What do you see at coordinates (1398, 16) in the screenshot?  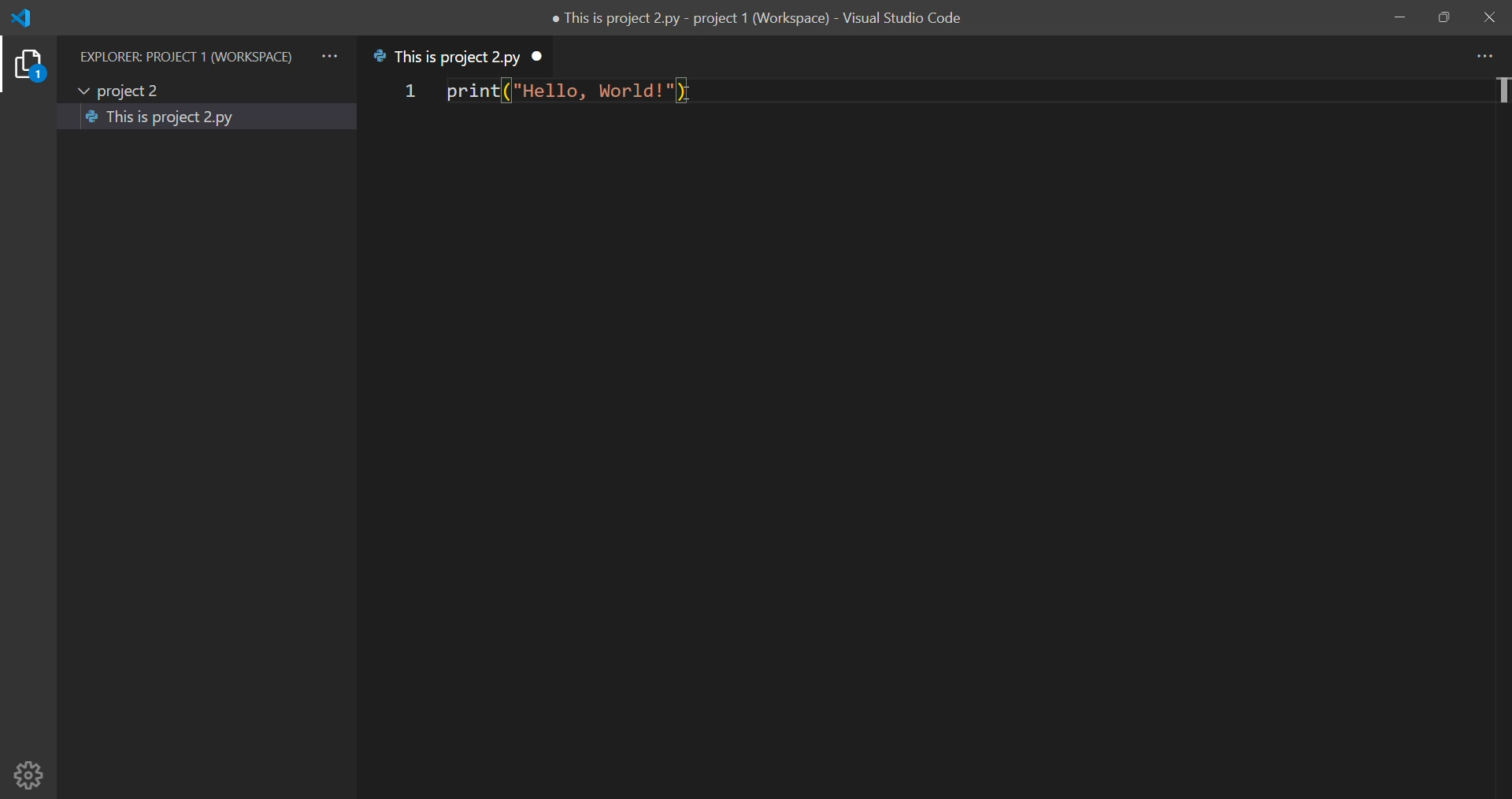 I see `minimize` at bounding box center [1398, 16].